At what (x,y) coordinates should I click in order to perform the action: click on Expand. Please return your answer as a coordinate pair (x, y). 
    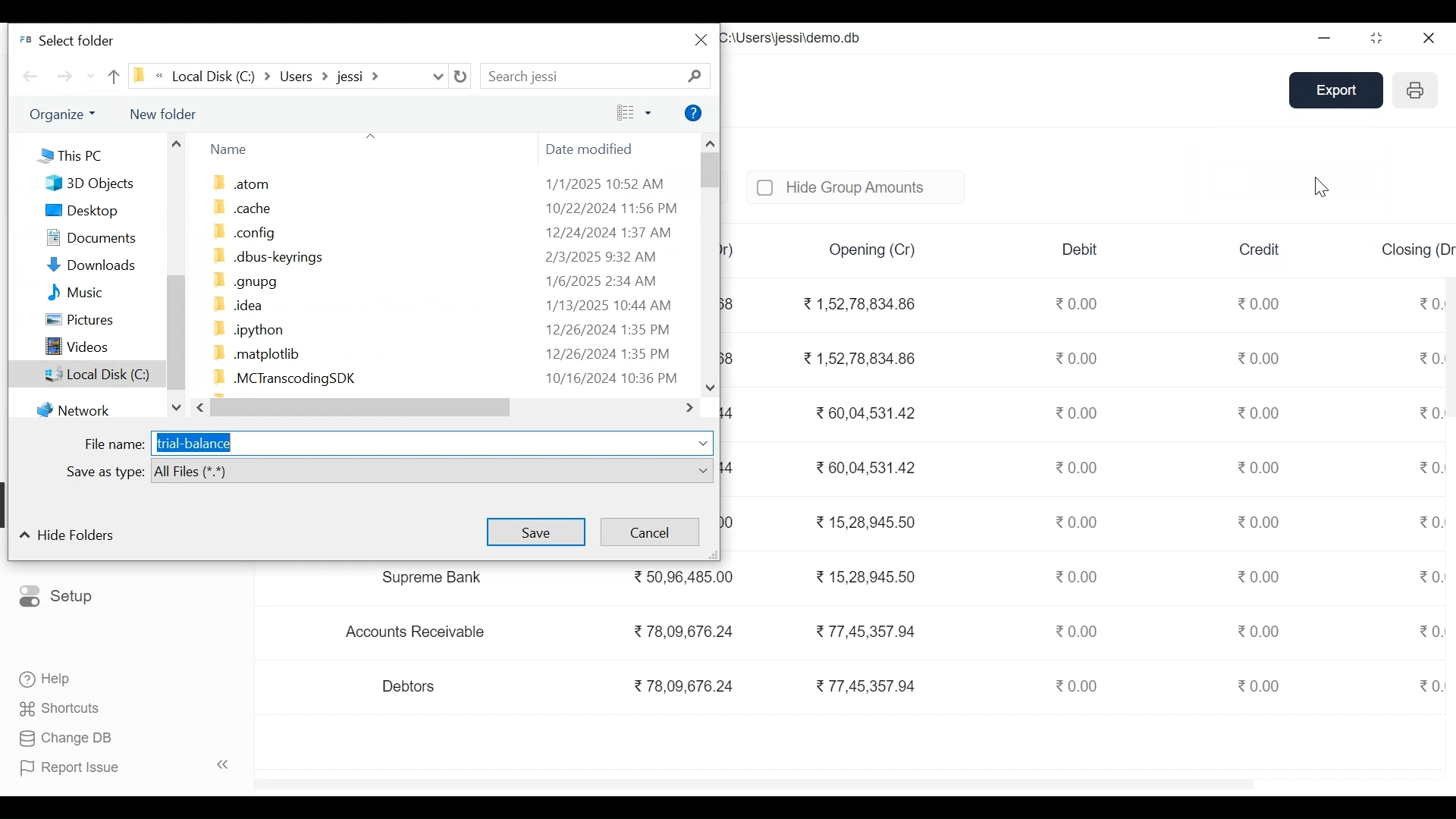
    Looking at the image, I should click on (438, 76).